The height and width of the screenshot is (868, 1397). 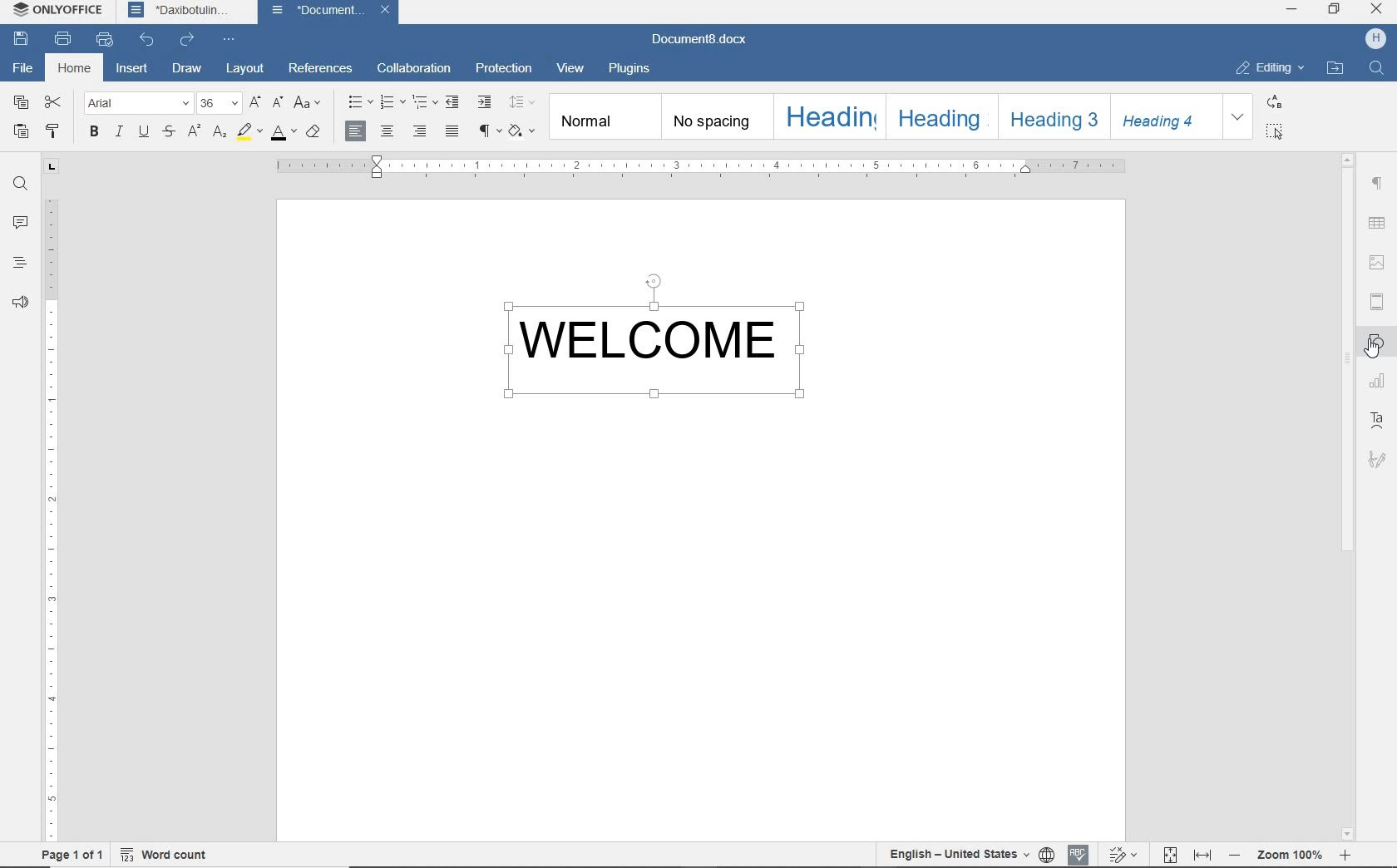 What do you see at coordinates (256, 104) in the screenshot?
I see `INCREMENT FONT SIZE` at bounding box center [256, 104].